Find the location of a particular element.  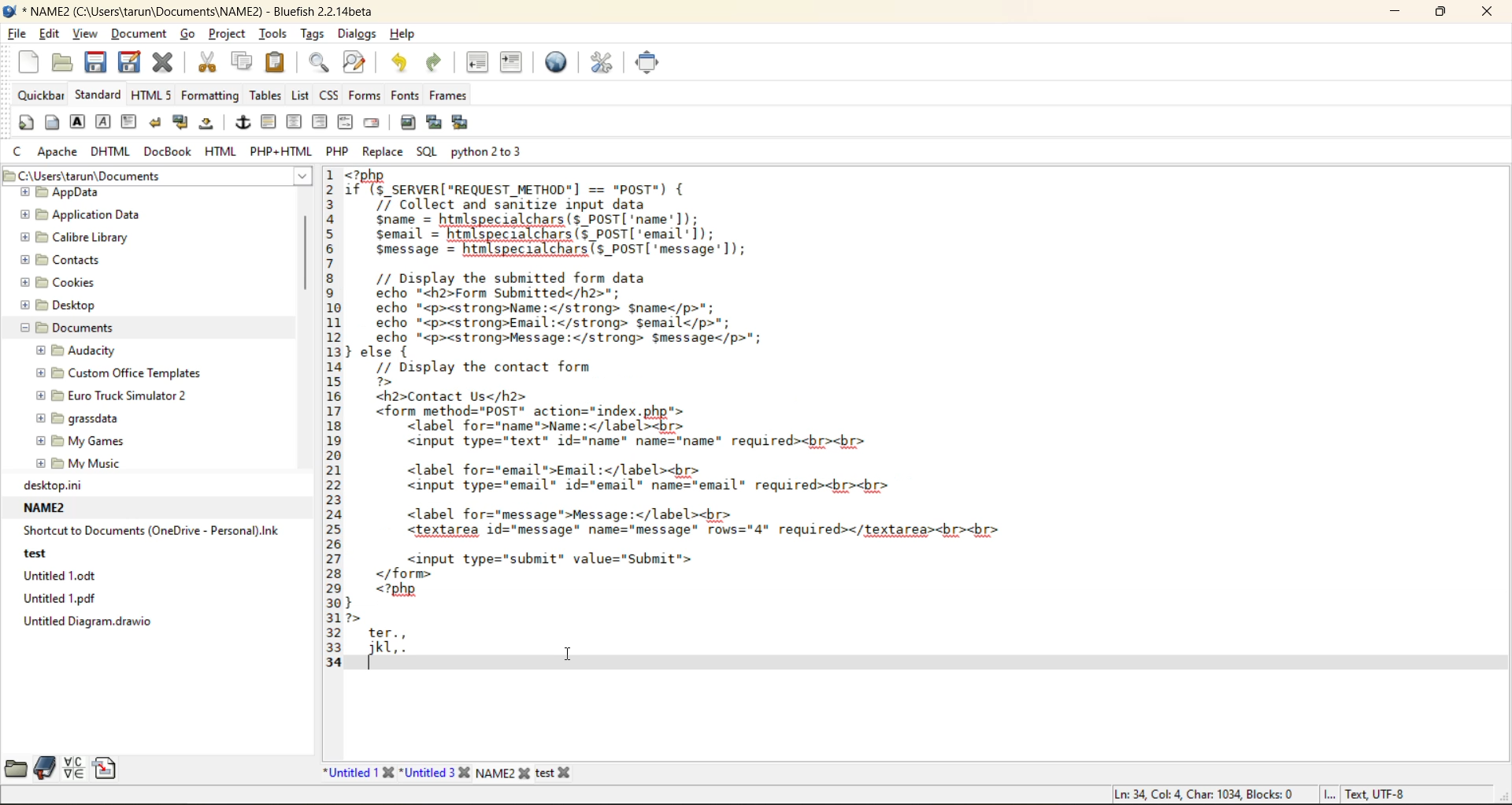

vertical scroll bar is located at coordinates (305, 255).